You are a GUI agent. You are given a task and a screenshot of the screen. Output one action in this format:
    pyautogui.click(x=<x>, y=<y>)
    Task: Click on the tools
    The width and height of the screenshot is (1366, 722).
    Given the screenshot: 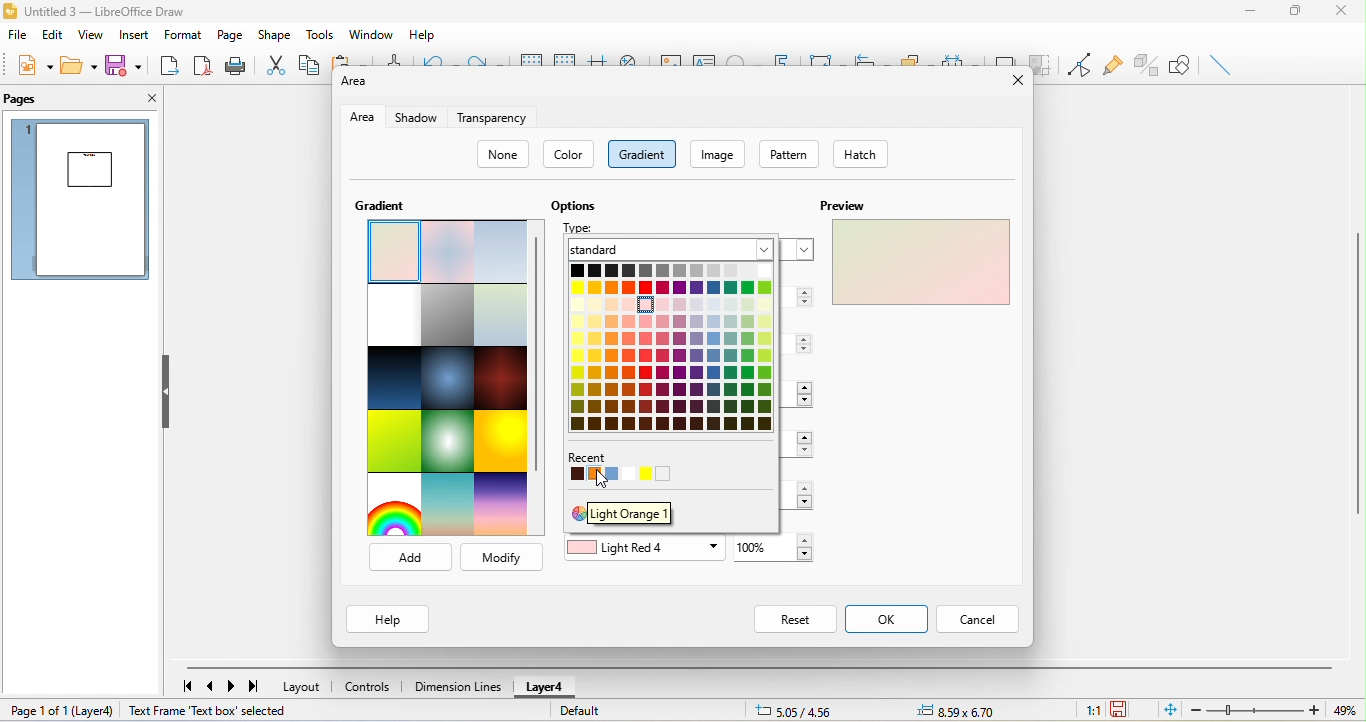 What is the action you would take?
    pyautogui.click(x=323, y=36)
    